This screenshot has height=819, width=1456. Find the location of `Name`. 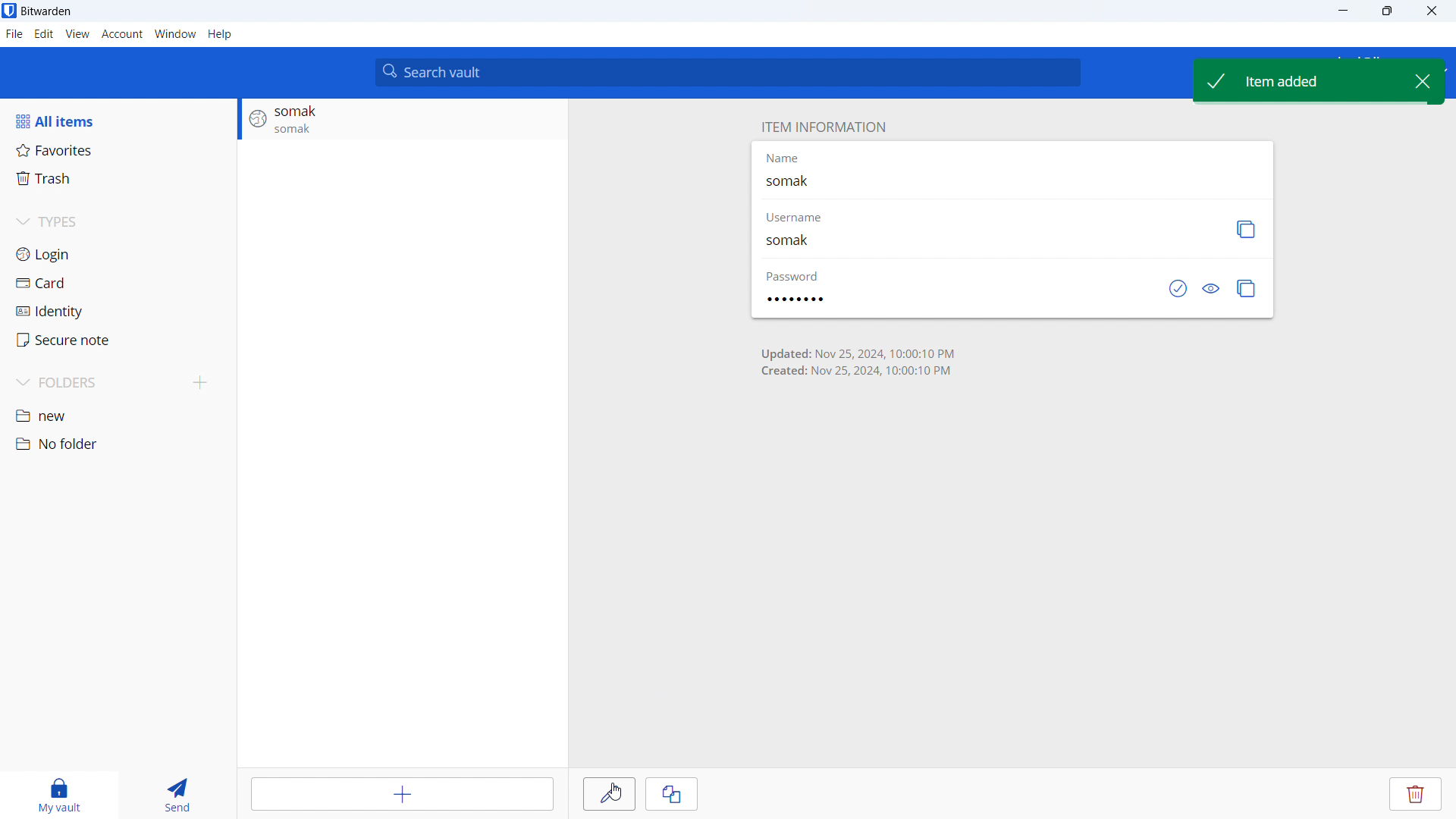

Name is located at coordinates (788, 158).